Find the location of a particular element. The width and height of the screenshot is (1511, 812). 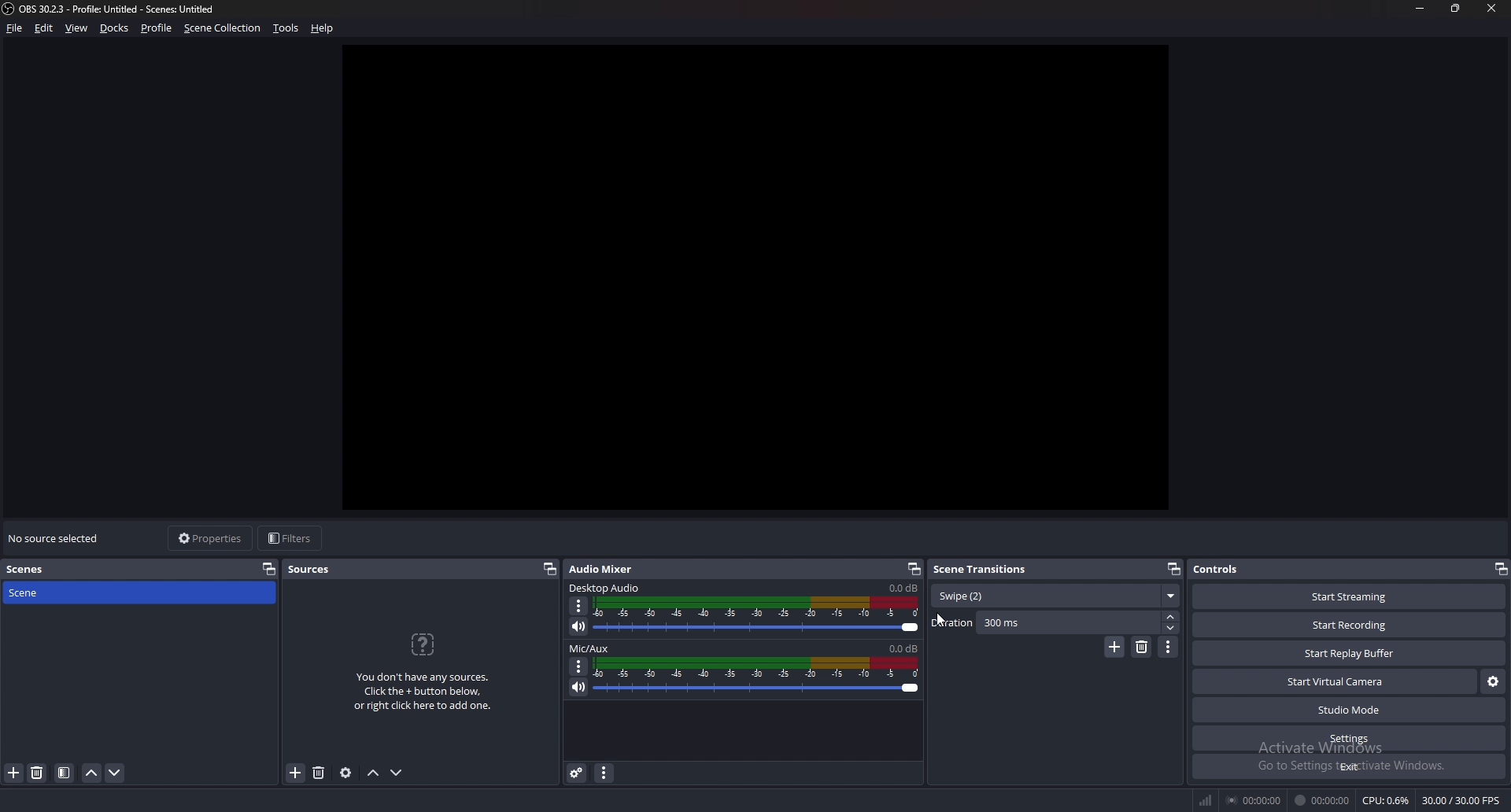

network is located at coordinates (1209, 799).